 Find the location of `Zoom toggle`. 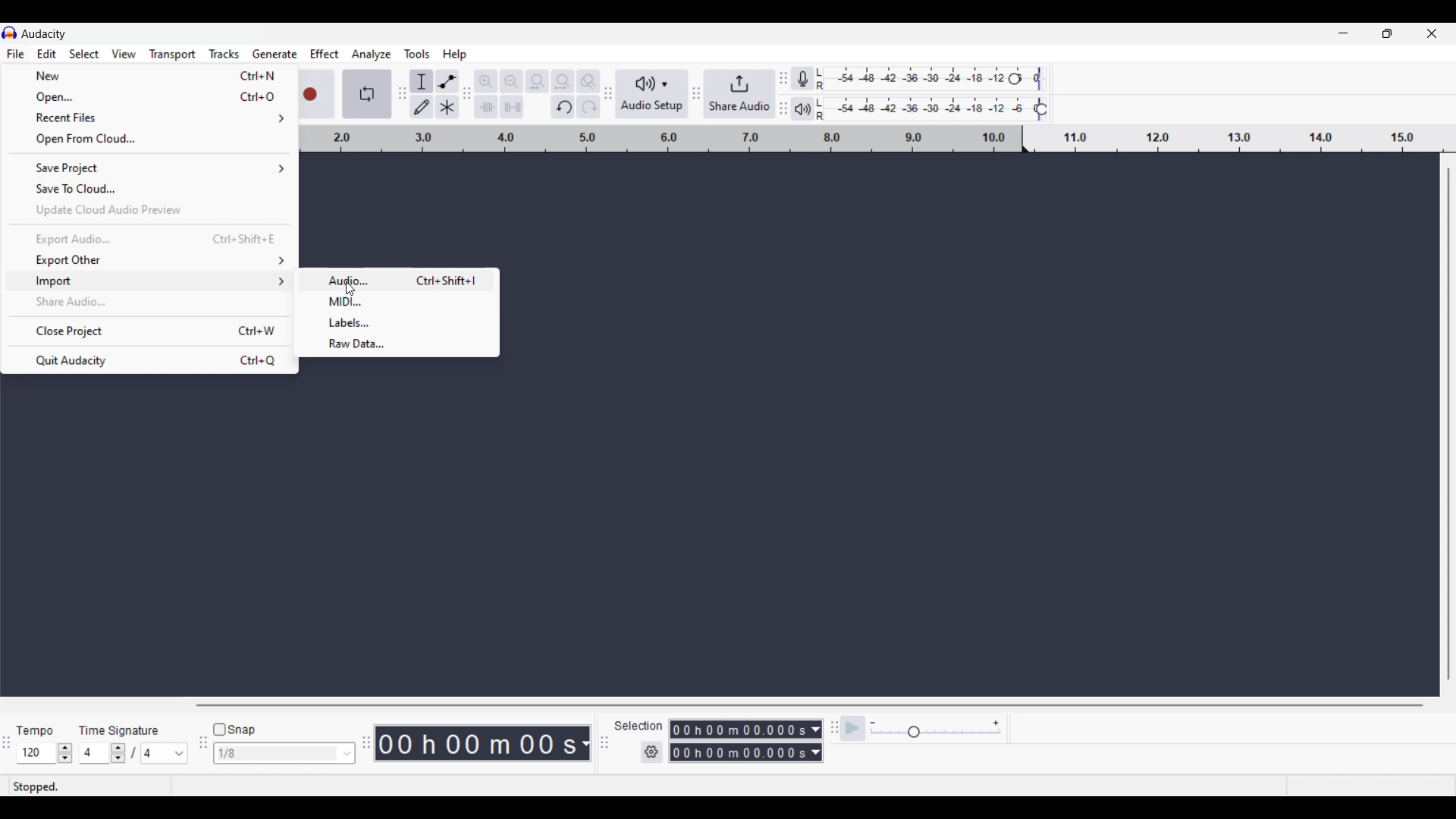

Zoom toggle is located at coordinates (589, 79).